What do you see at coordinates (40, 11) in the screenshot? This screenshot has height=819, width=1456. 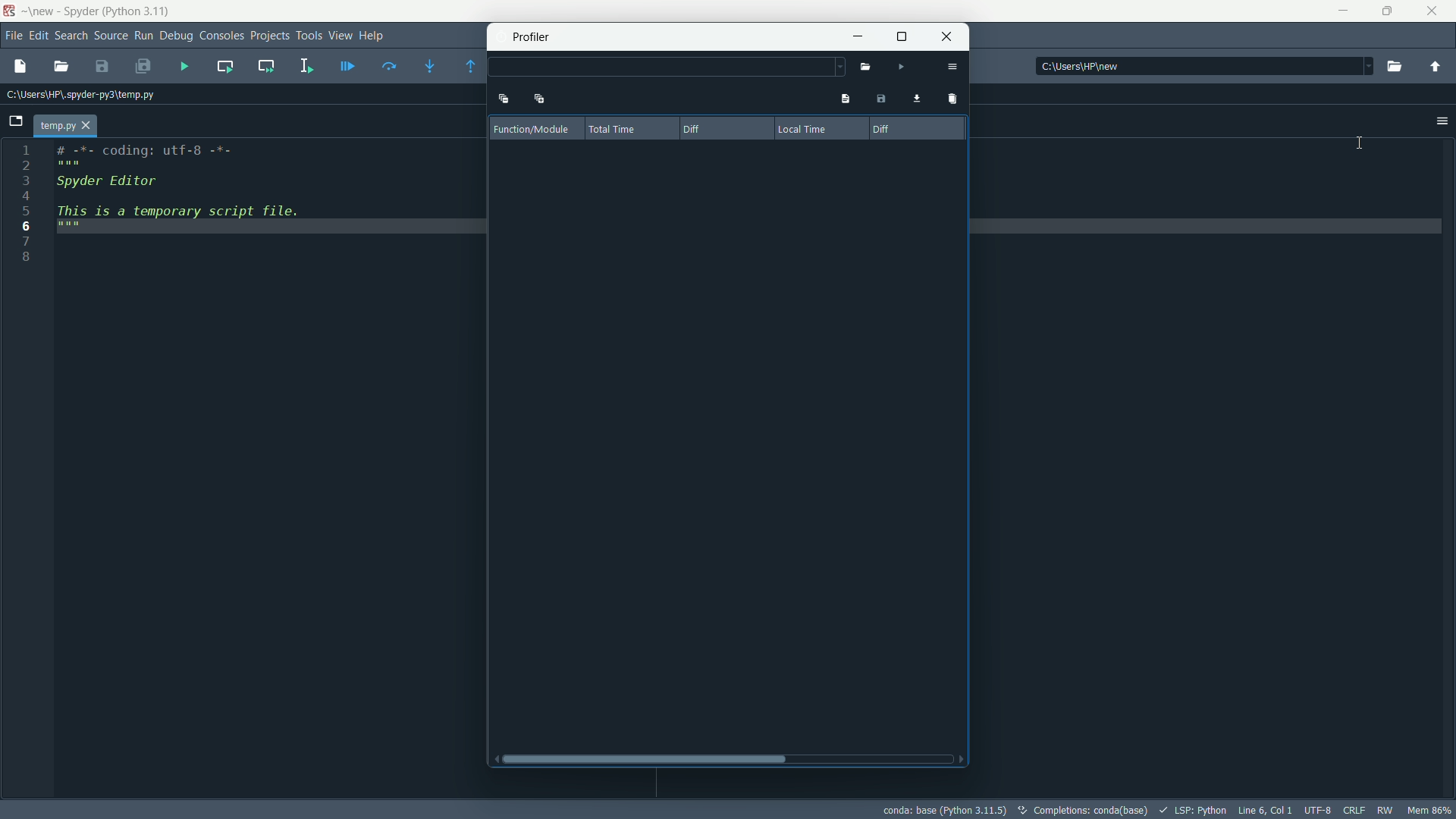 I see `new` at bounding box center [40, 11].